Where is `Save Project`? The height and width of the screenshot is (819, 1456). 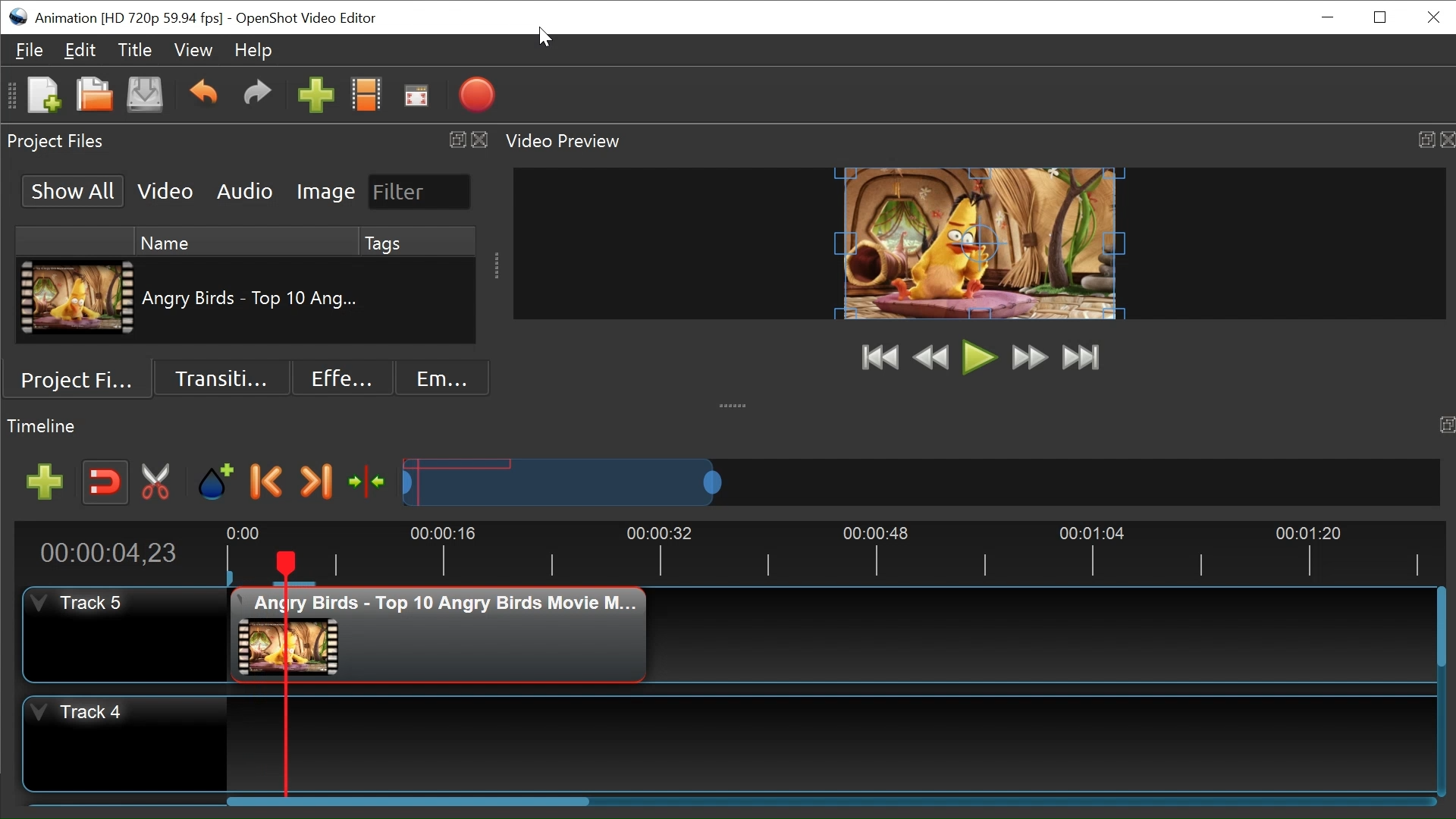 Save Project is located at coordinates (144, 96).